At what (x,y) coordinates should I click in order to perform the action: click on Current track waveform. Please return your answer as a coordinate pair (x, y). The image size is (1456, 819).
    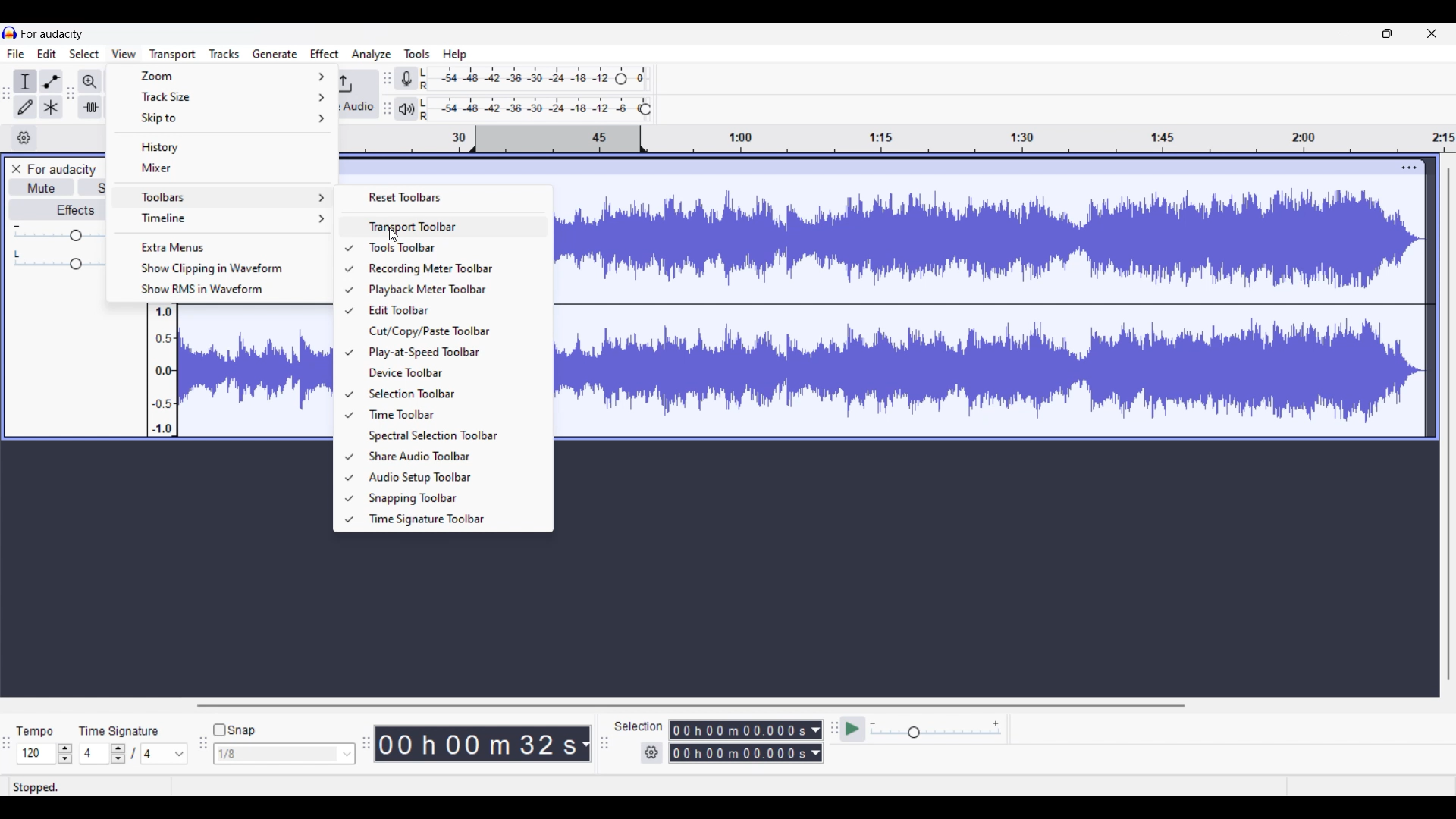
    Looking at the image, I should click on (976, 306).